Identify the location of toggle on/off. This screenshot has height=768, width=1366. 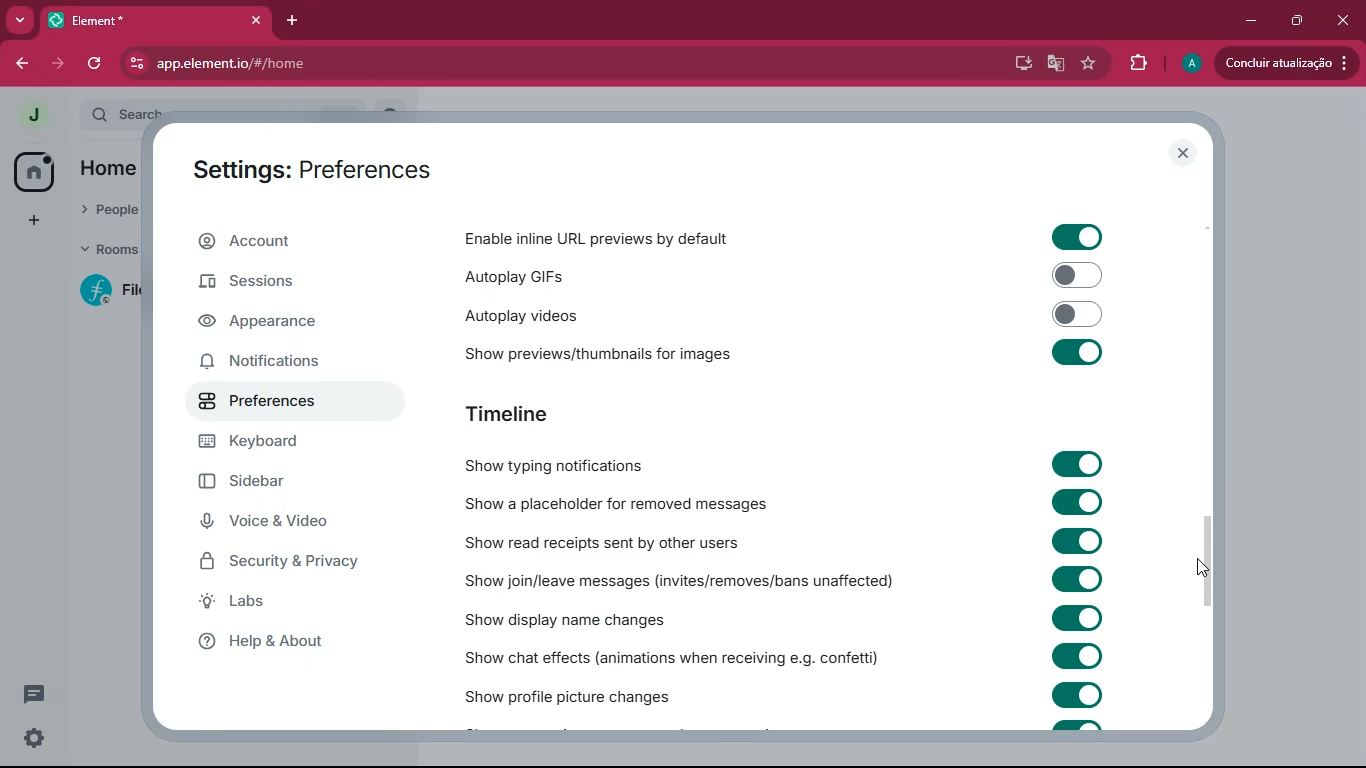
(1078, 464).